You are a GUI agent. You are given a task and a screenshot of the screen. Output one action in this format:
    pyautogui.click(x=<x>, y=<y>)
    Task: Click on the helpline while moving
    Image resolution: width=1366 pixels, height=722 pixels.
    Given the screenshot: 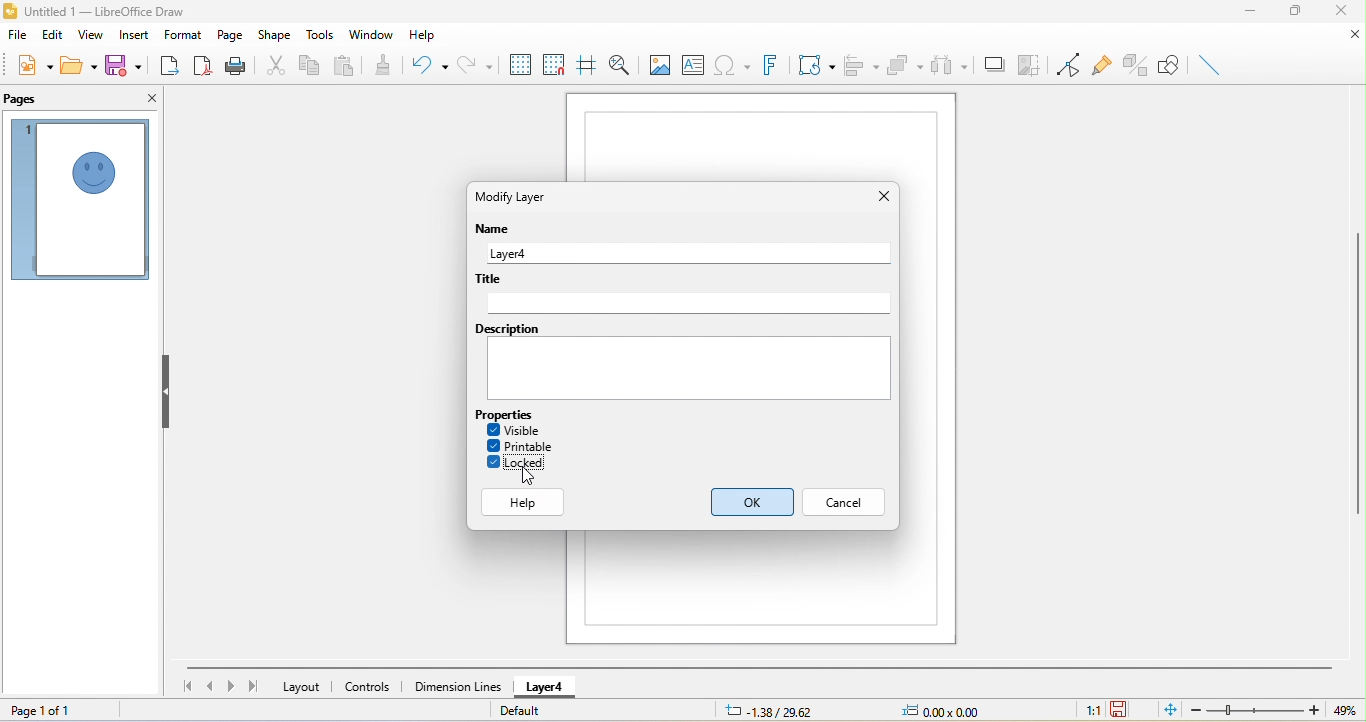 What is the action you would take?
    pyautogui.click(x=586, y=65)
    